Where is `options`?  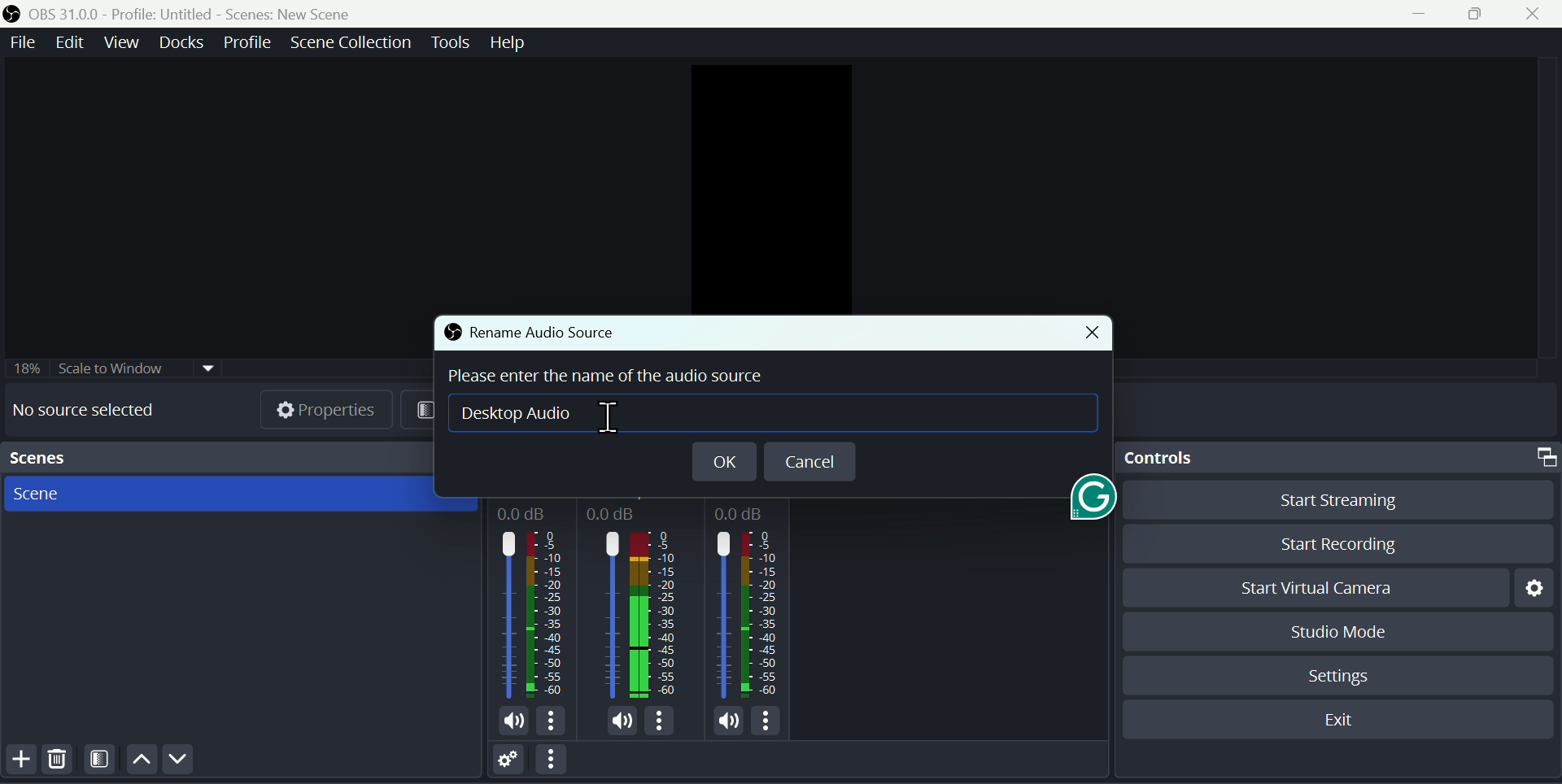 options is located at coordinates (552, 760).